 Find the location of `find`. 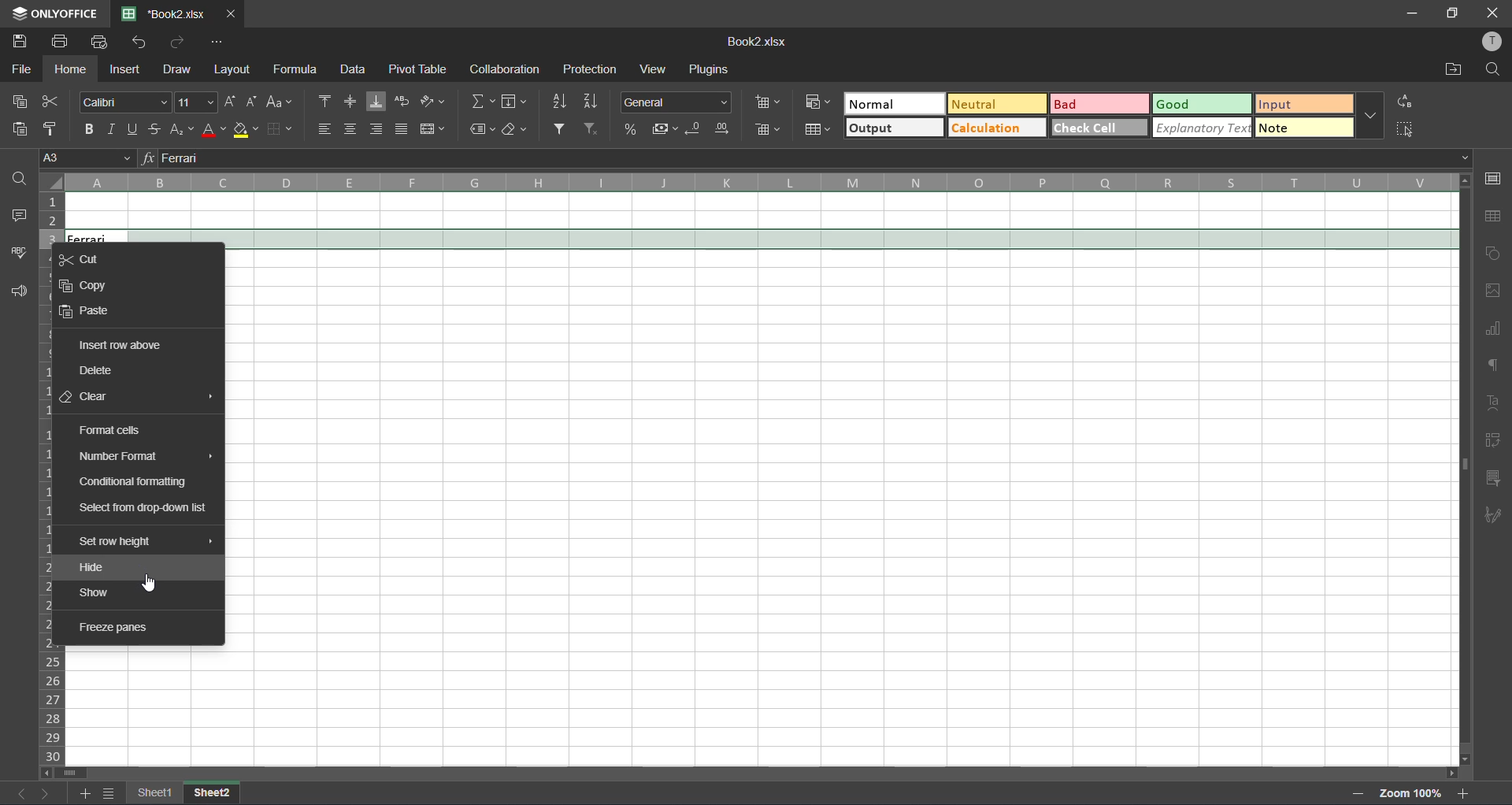

find is located at coordinates (1492, 70).